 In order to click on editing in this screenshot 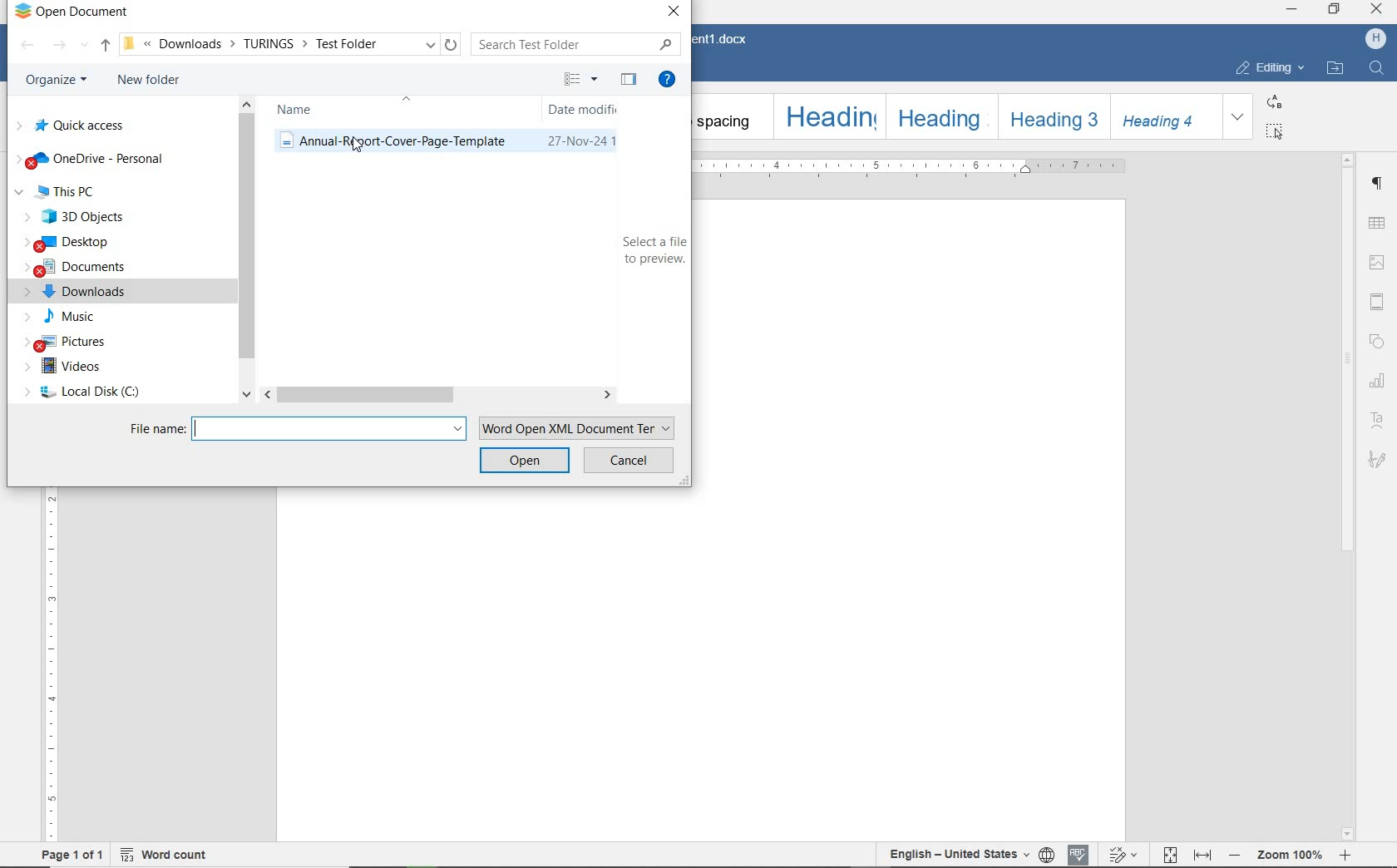, I will do `click(1269, 67)`.